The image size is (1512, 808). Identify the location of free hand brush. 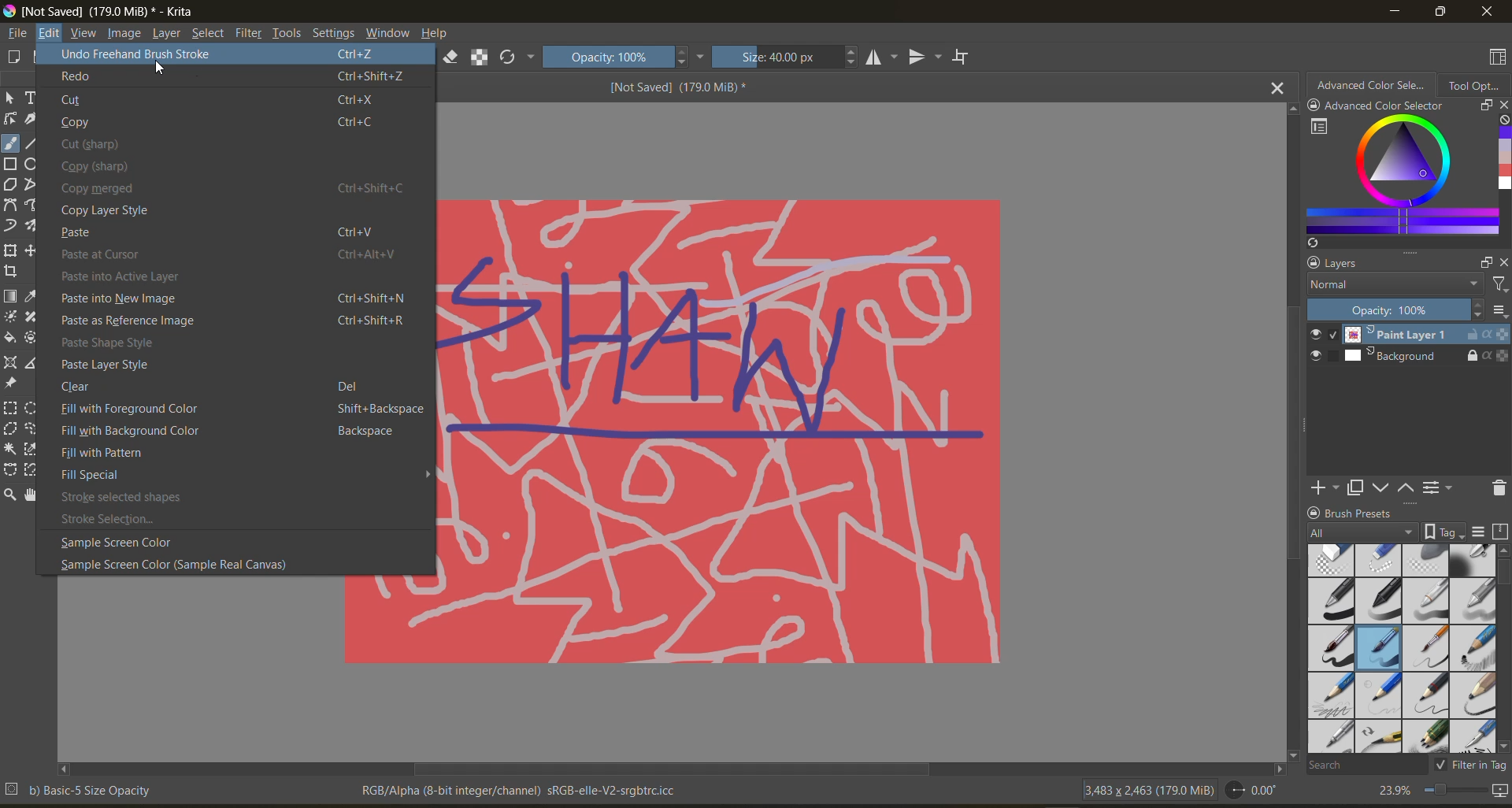
(11, 143).